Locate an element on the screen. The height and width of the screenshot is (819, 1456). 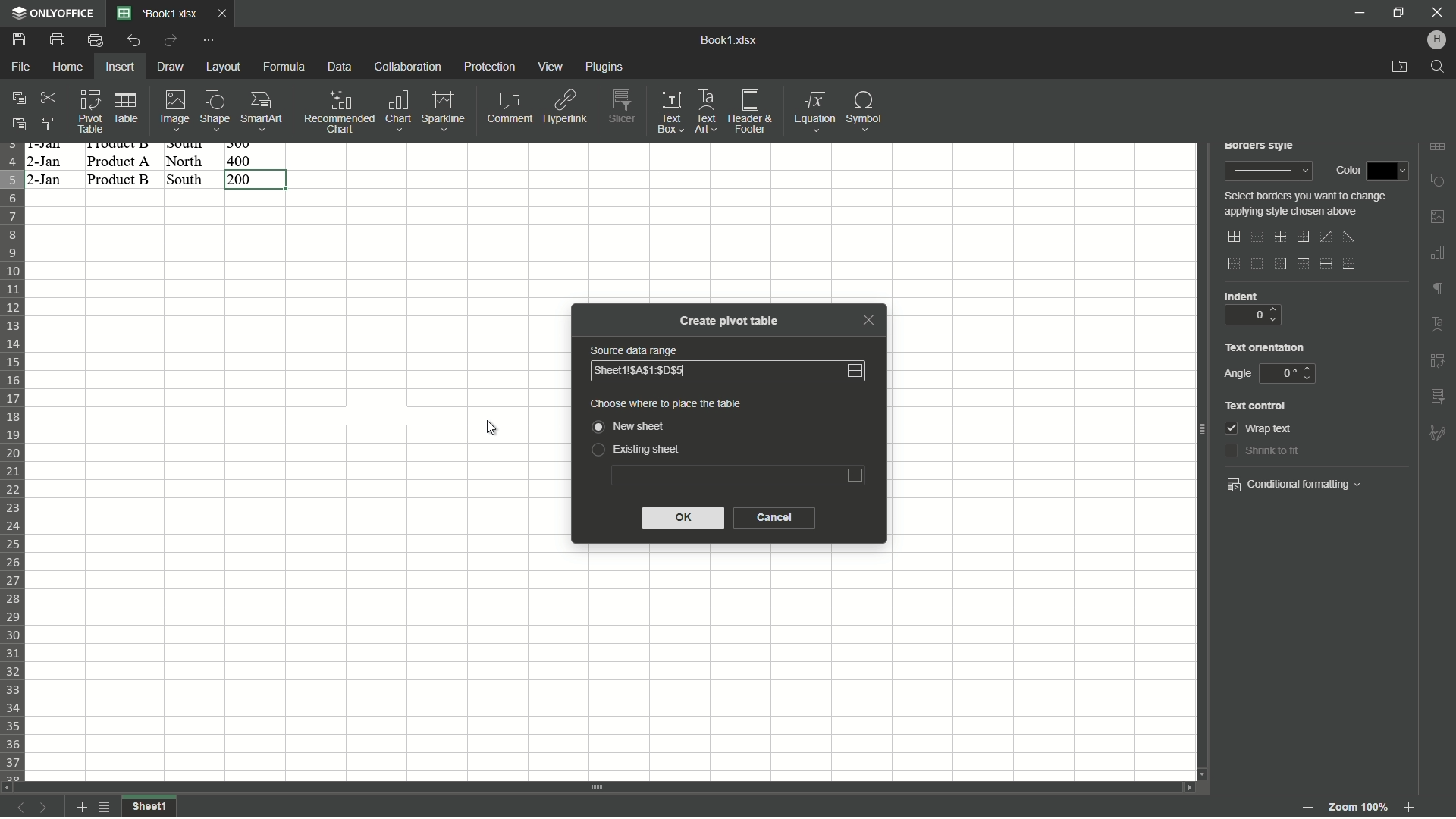
scroll left is located at coordinates (9, 786).